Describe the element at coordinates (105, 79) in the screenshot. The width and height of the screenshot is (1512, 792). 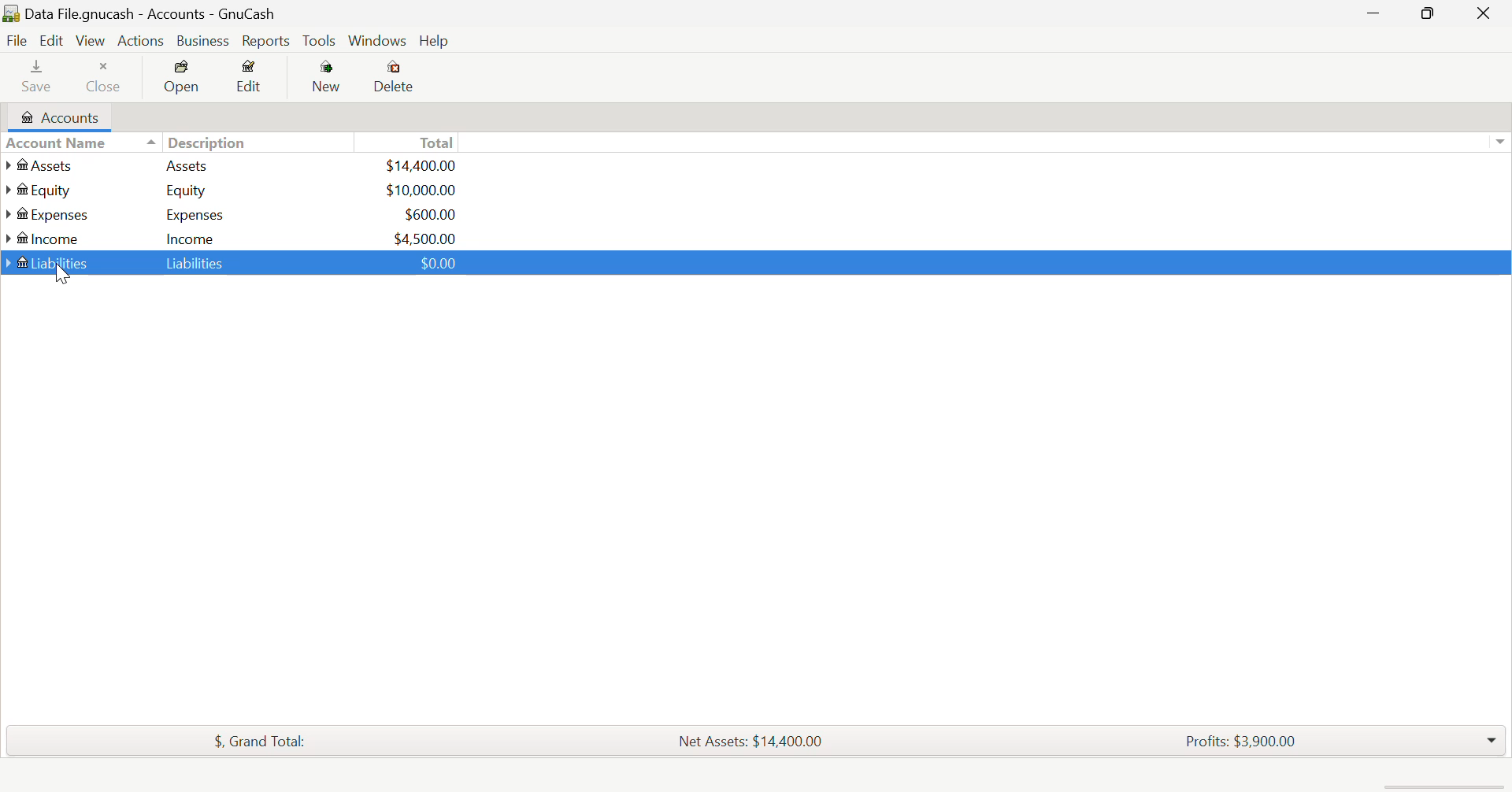
I see `Close` at that location.